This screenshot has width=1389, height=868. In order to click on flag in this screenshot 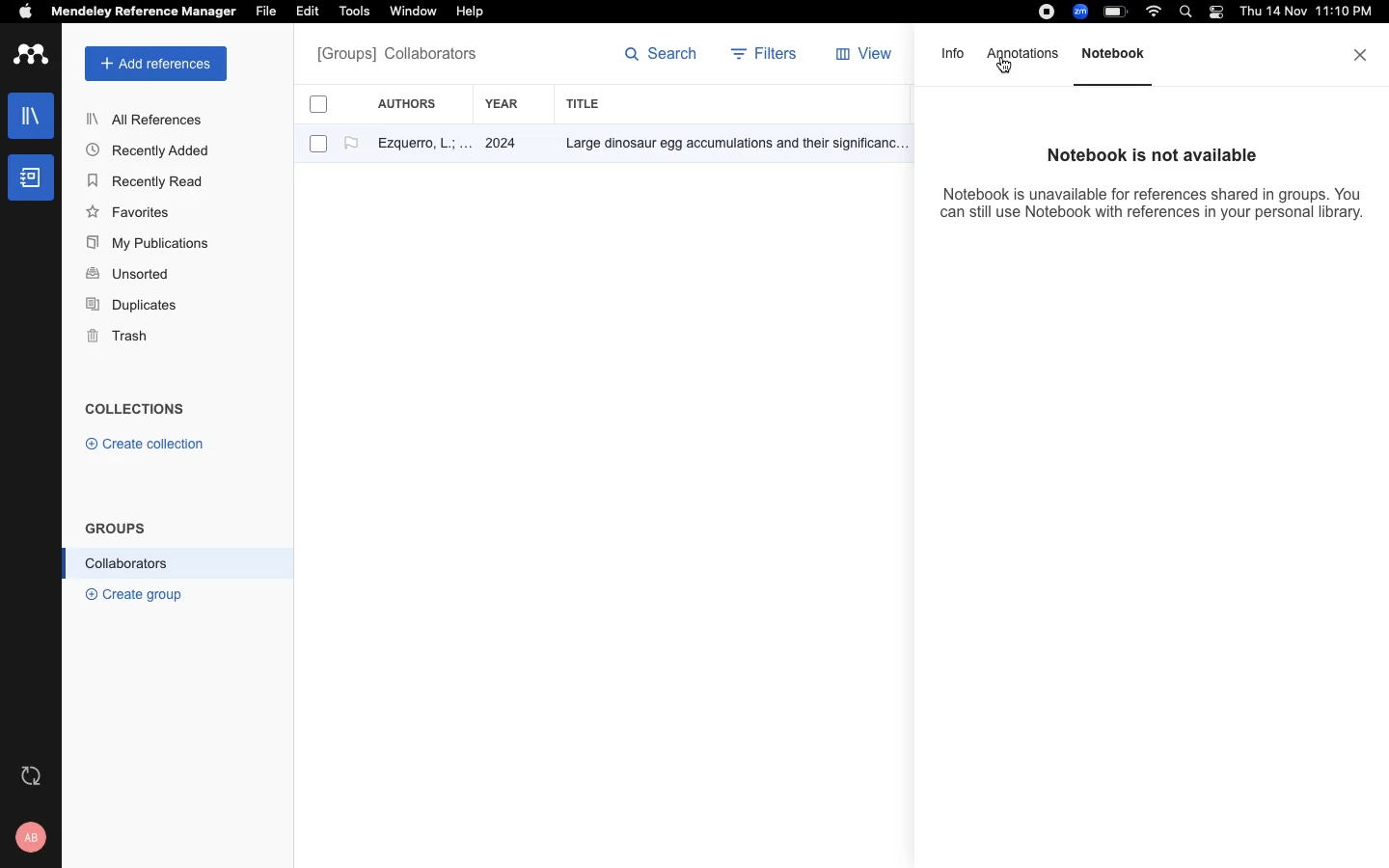, I will do `click(351, 144)`.